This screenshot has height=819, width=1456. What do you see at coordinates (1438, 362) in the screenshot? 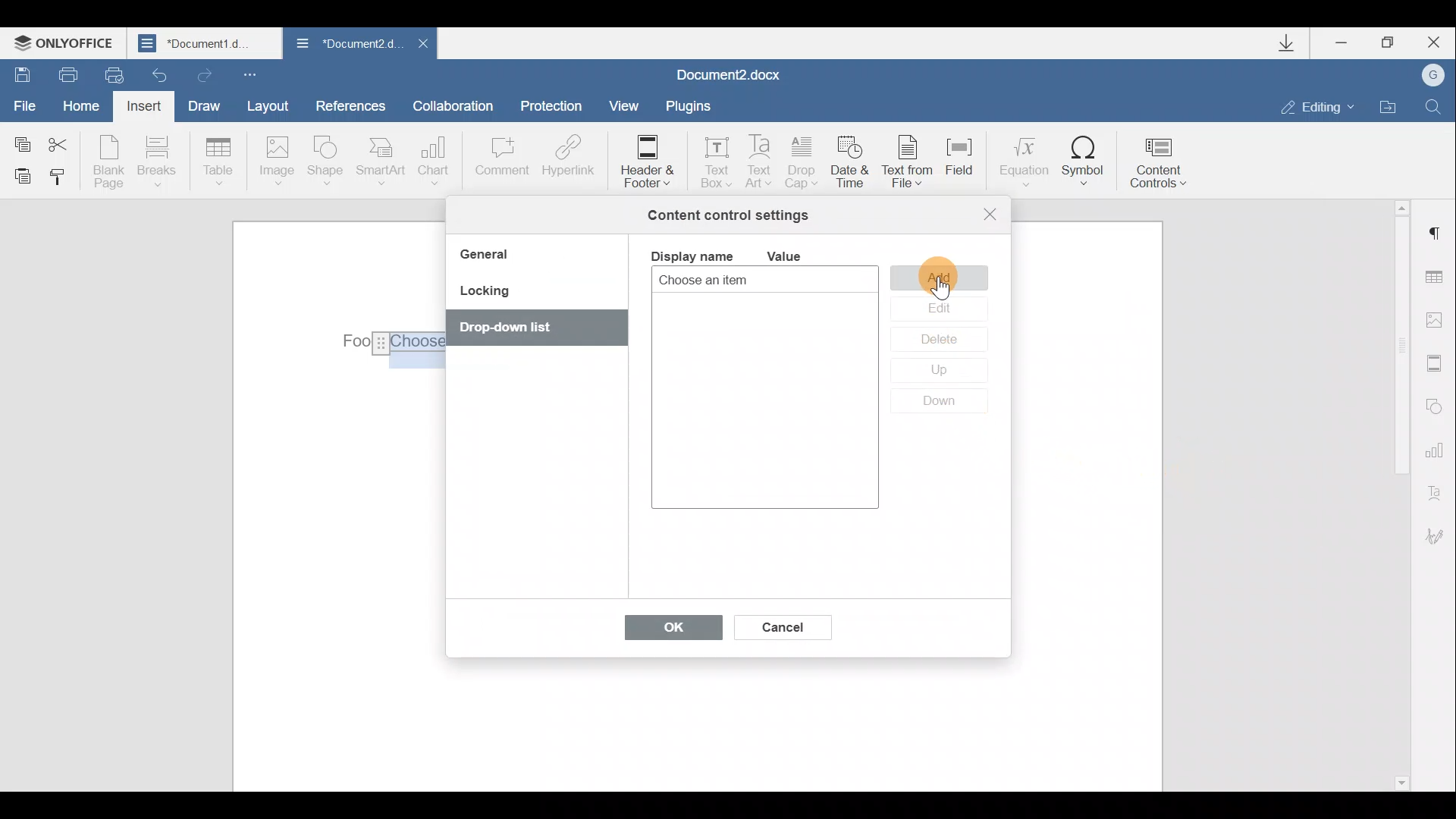
I see `Header & footer settings` at bounding box center [1438, 362].